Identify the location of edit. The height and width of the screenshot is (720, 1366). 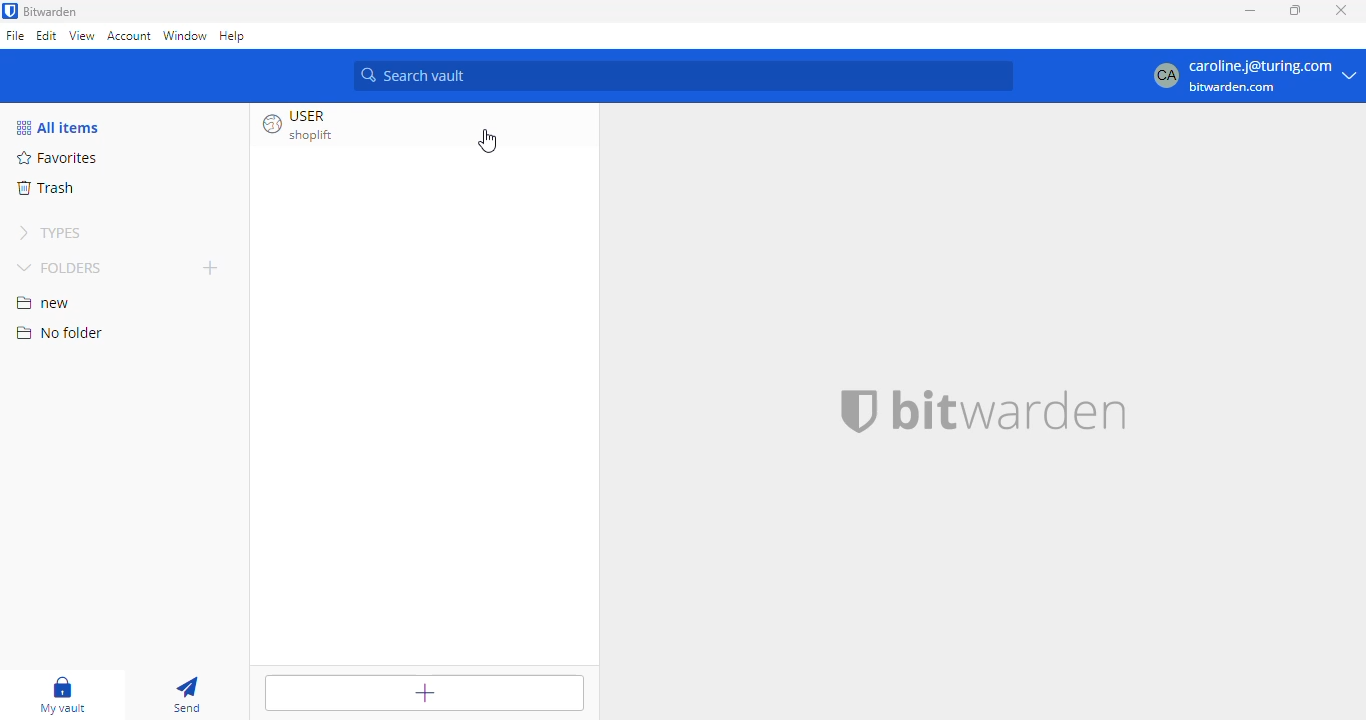
(48, 35).